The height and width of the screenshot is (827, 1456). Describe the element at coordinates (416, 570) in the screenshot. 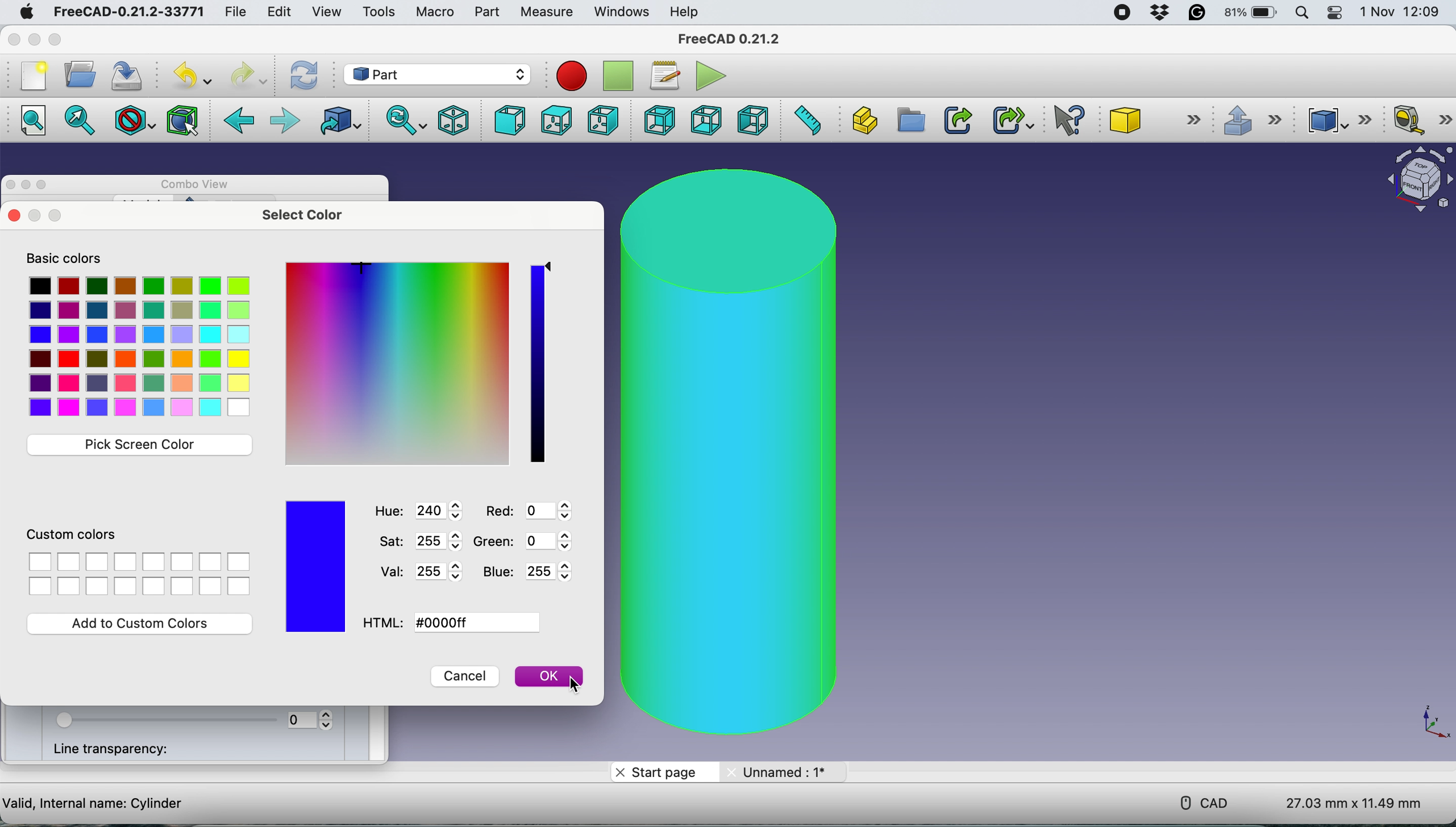

I see `val` at that location.